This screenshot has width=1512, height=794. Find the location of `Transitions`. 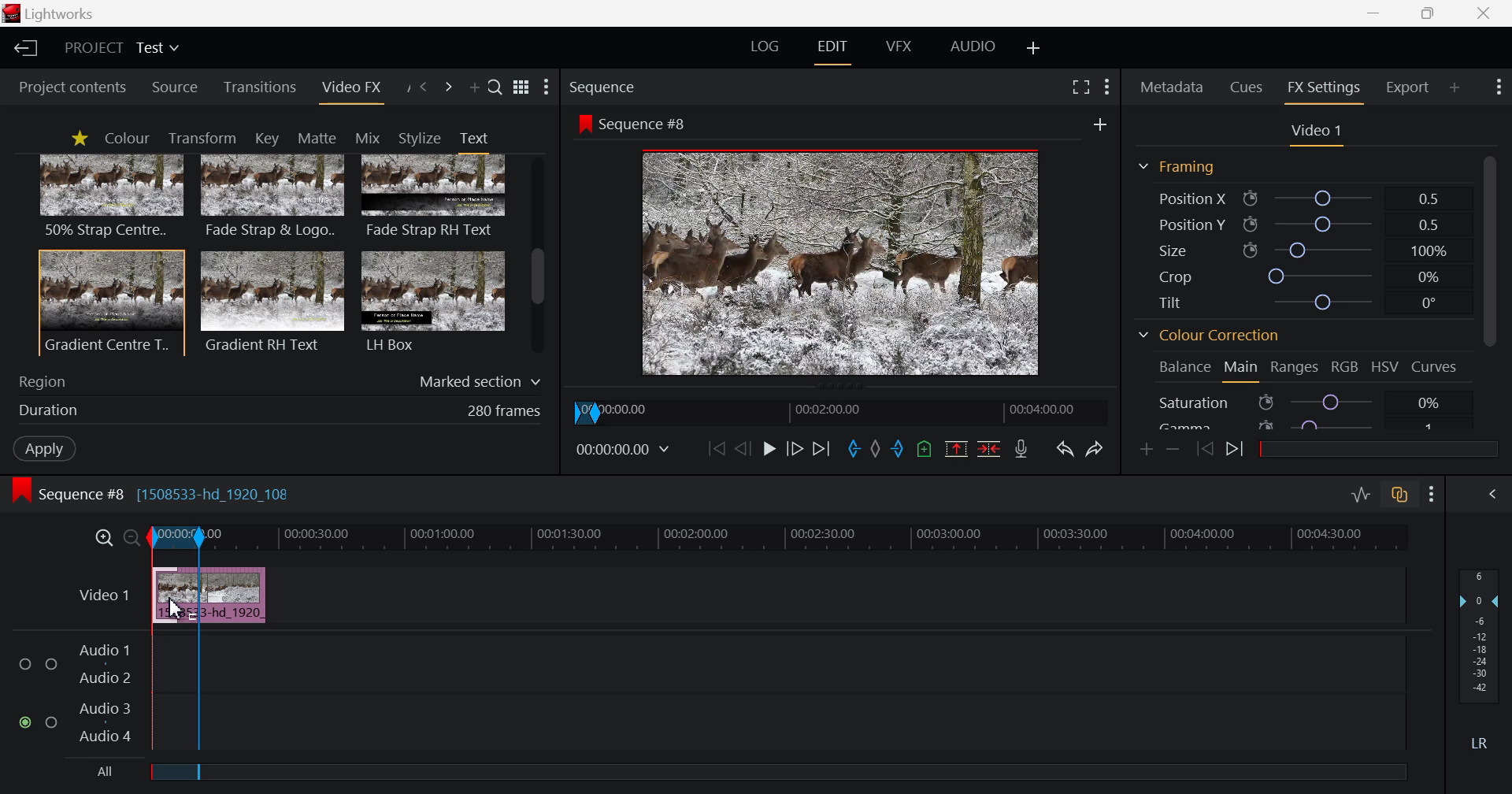

Transitions is located at coordinates (261, 87).